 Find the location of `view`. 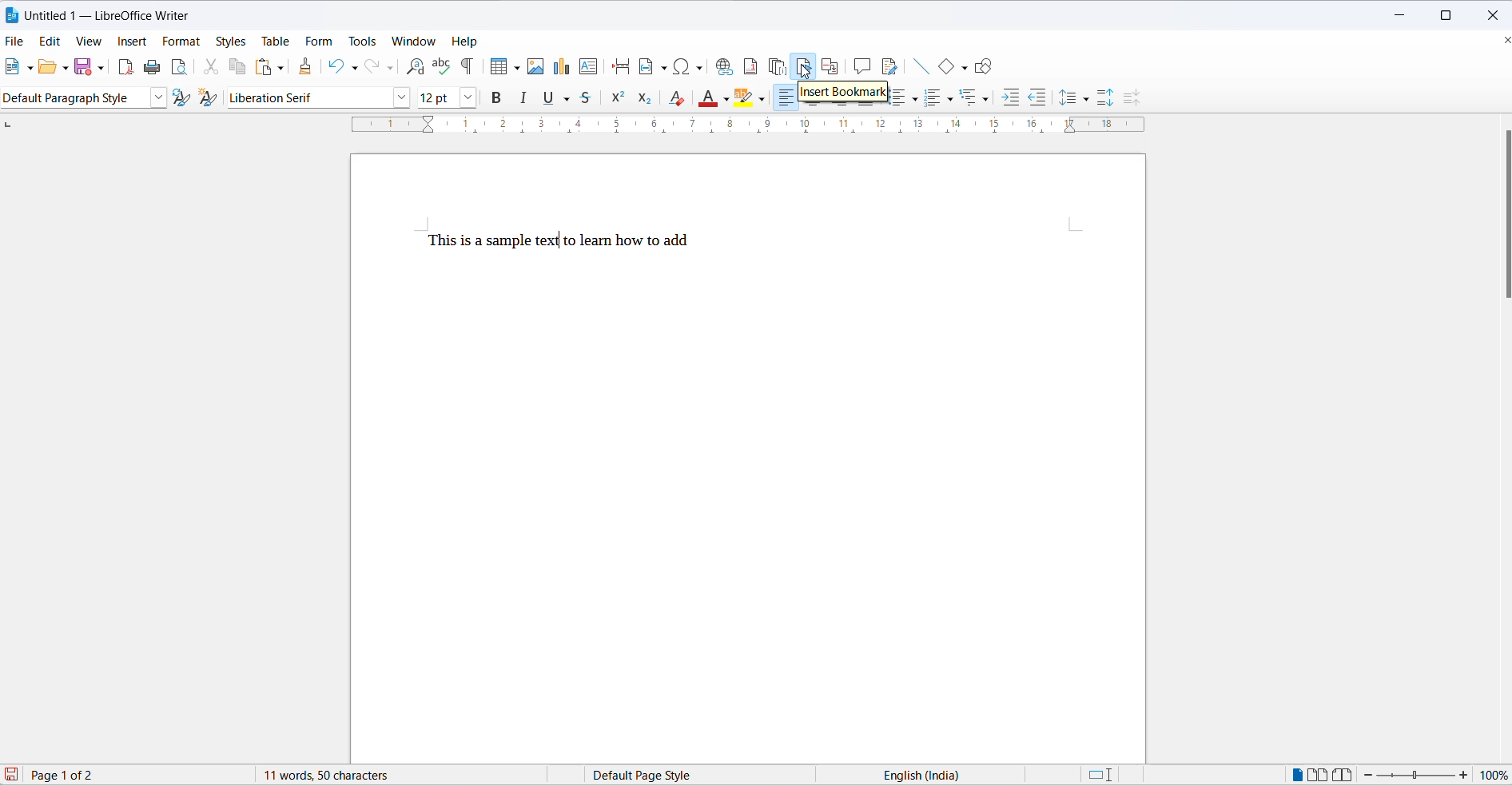

view is located at coordinates (91, 42).